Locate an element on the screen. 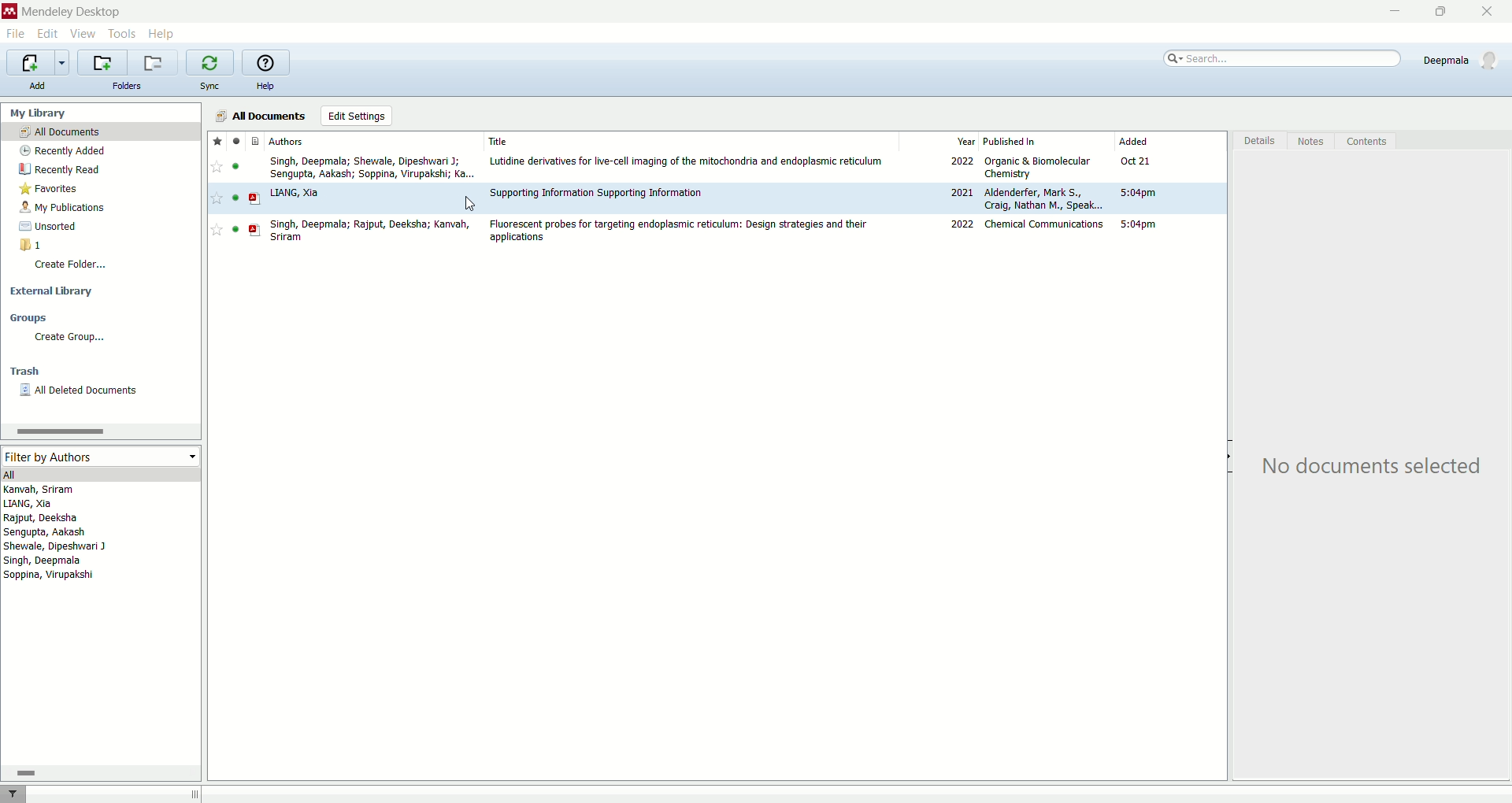 The image size is (1512, 803). 2022 is located at coordinates (963, 224).